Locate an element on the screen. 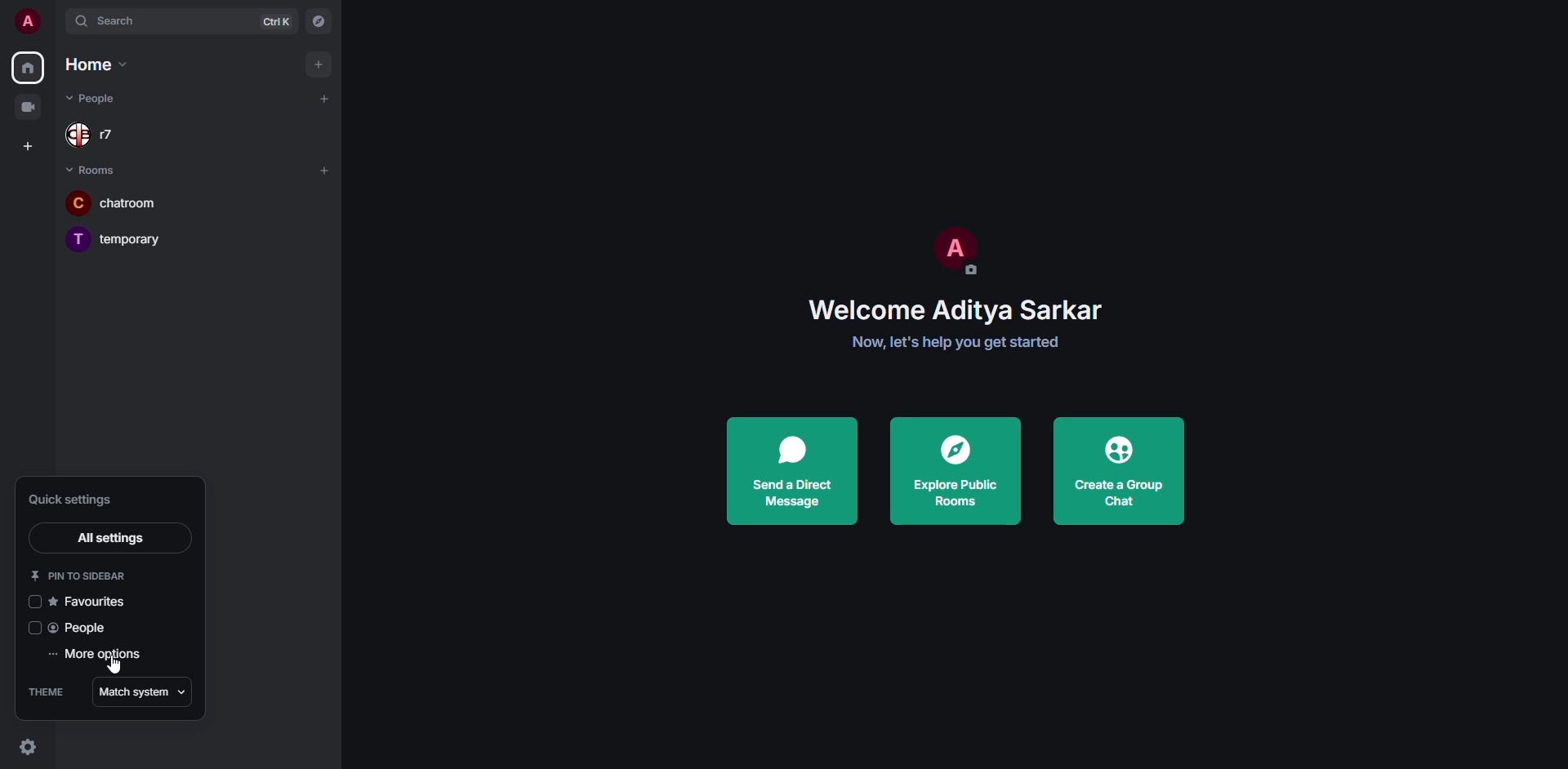  match system is located at coordinates (145, 691).